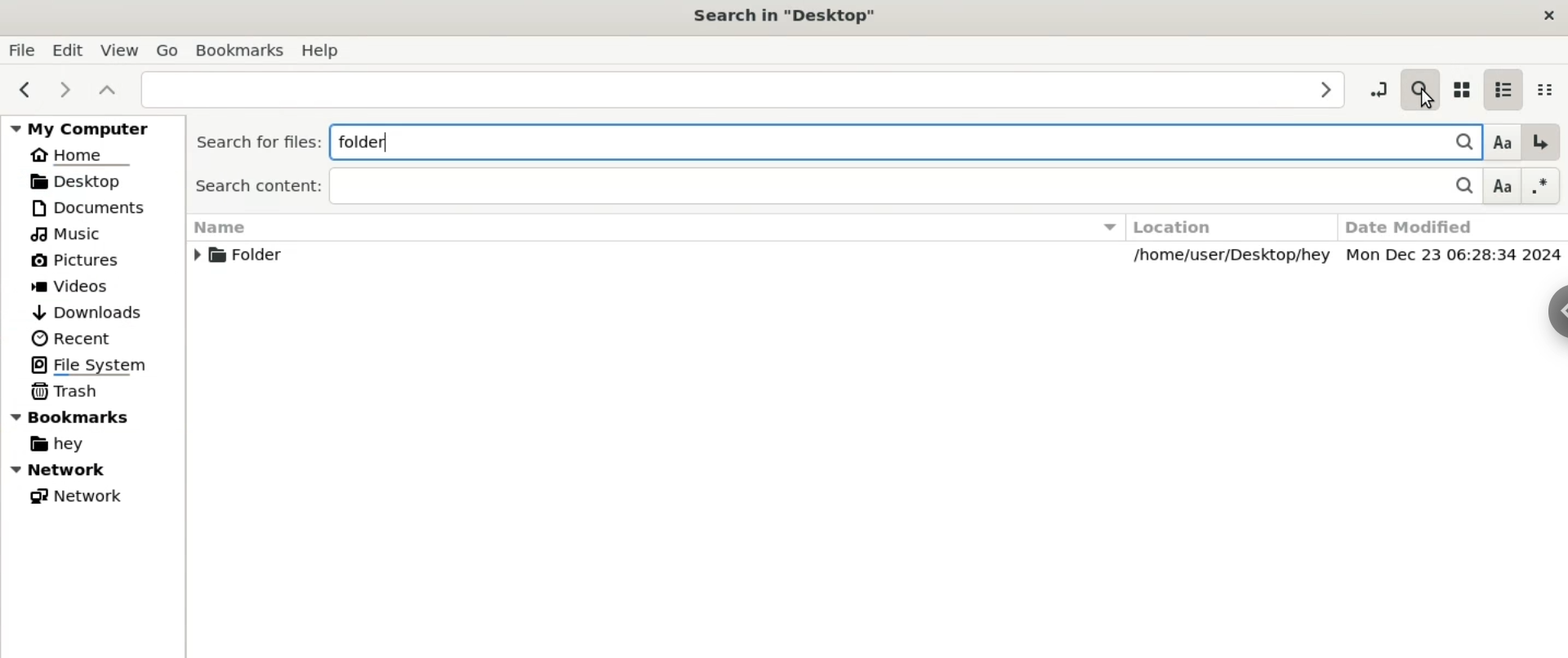  What do you see at coordinates (119, 47) in the screenshot?
I see `View` at bounding box center [119, 47].